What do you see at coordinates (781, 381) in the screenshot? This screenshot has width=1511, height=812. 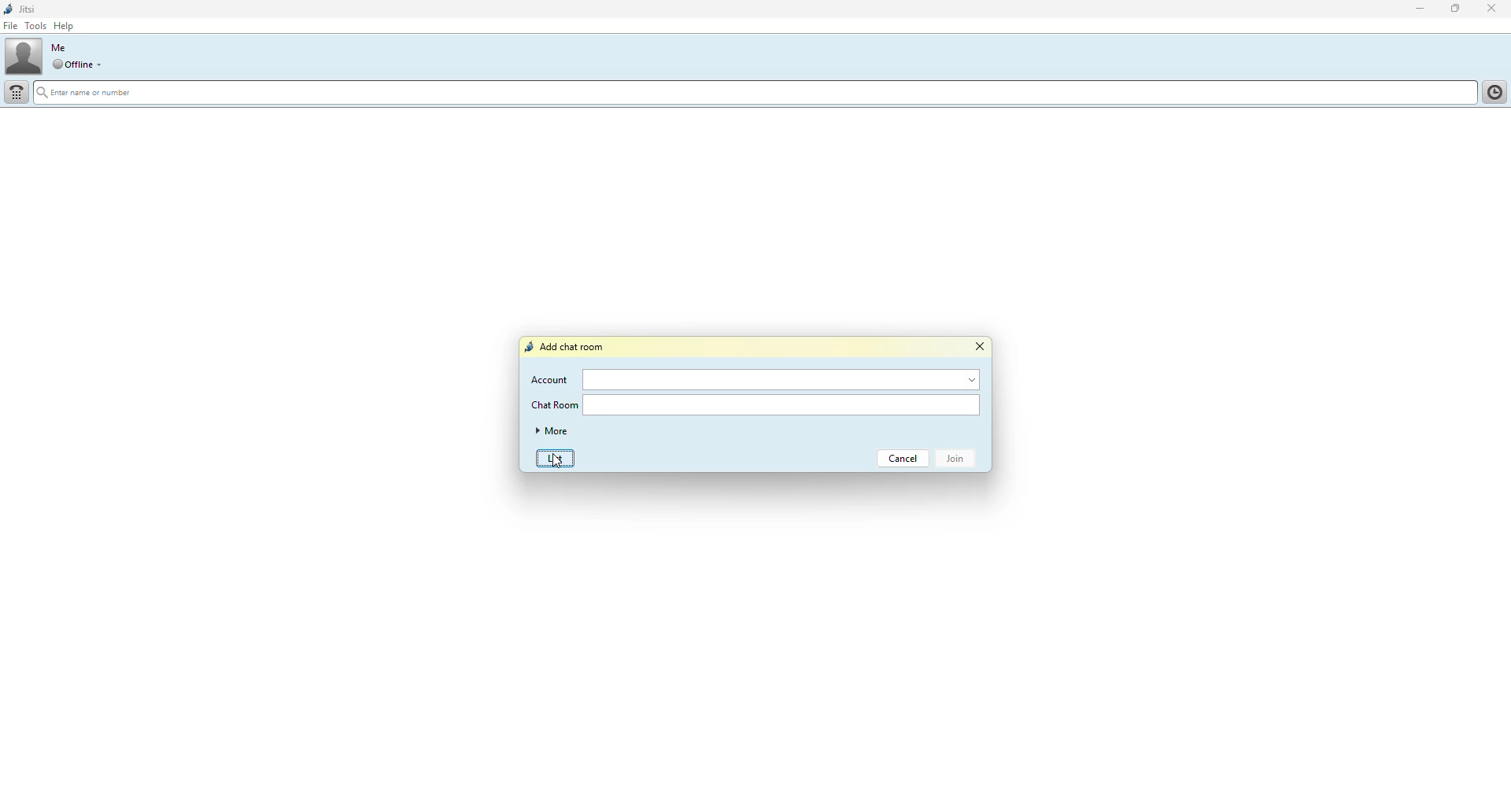 I see `account` at bounding box center [781, 381].